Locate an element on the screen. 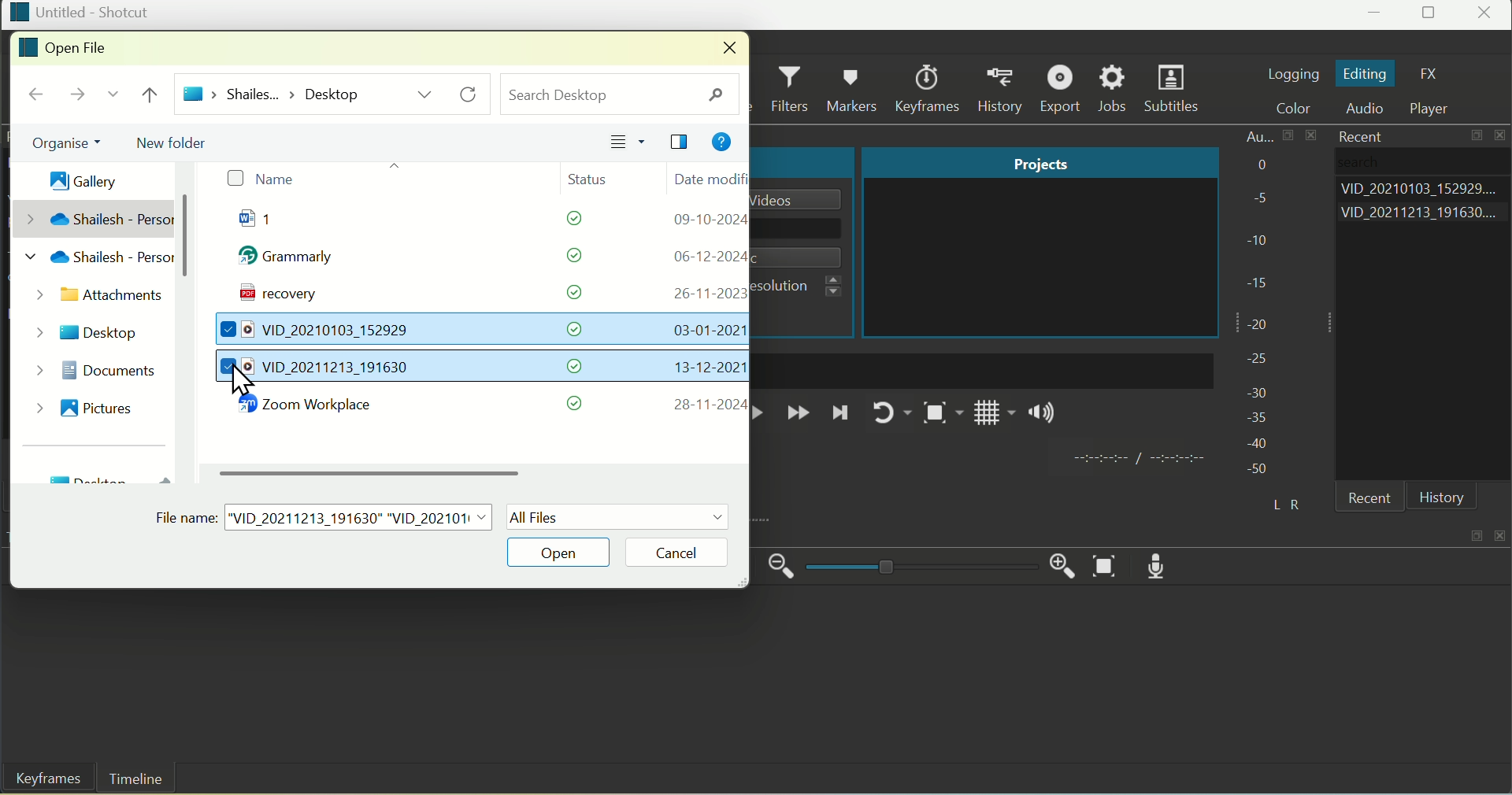 The image size is (1512, 795). date is located at coordinates (703, 293).